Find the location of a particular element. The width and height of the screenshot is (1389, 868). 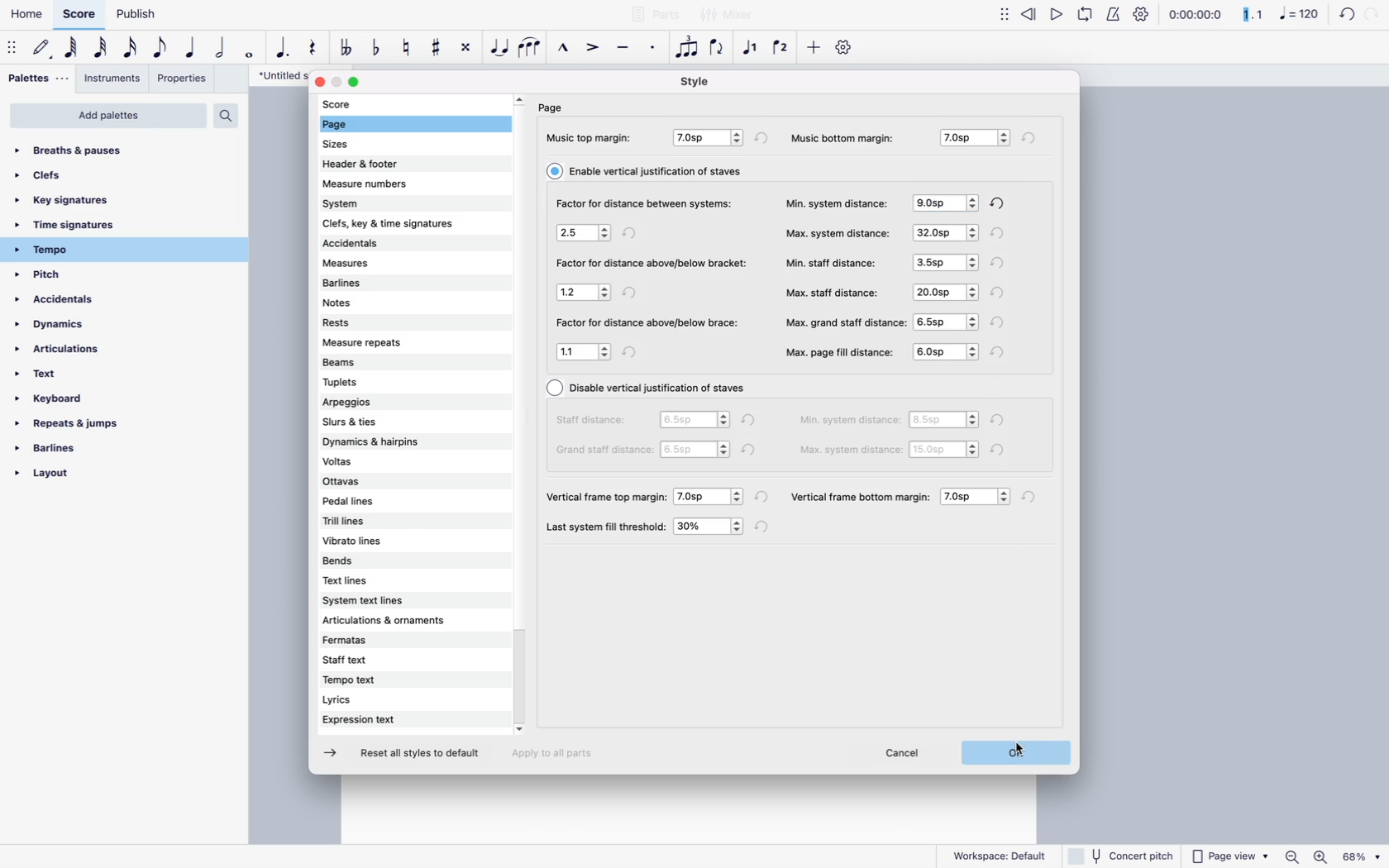

toggle natural is located at coordinates (407, 50).